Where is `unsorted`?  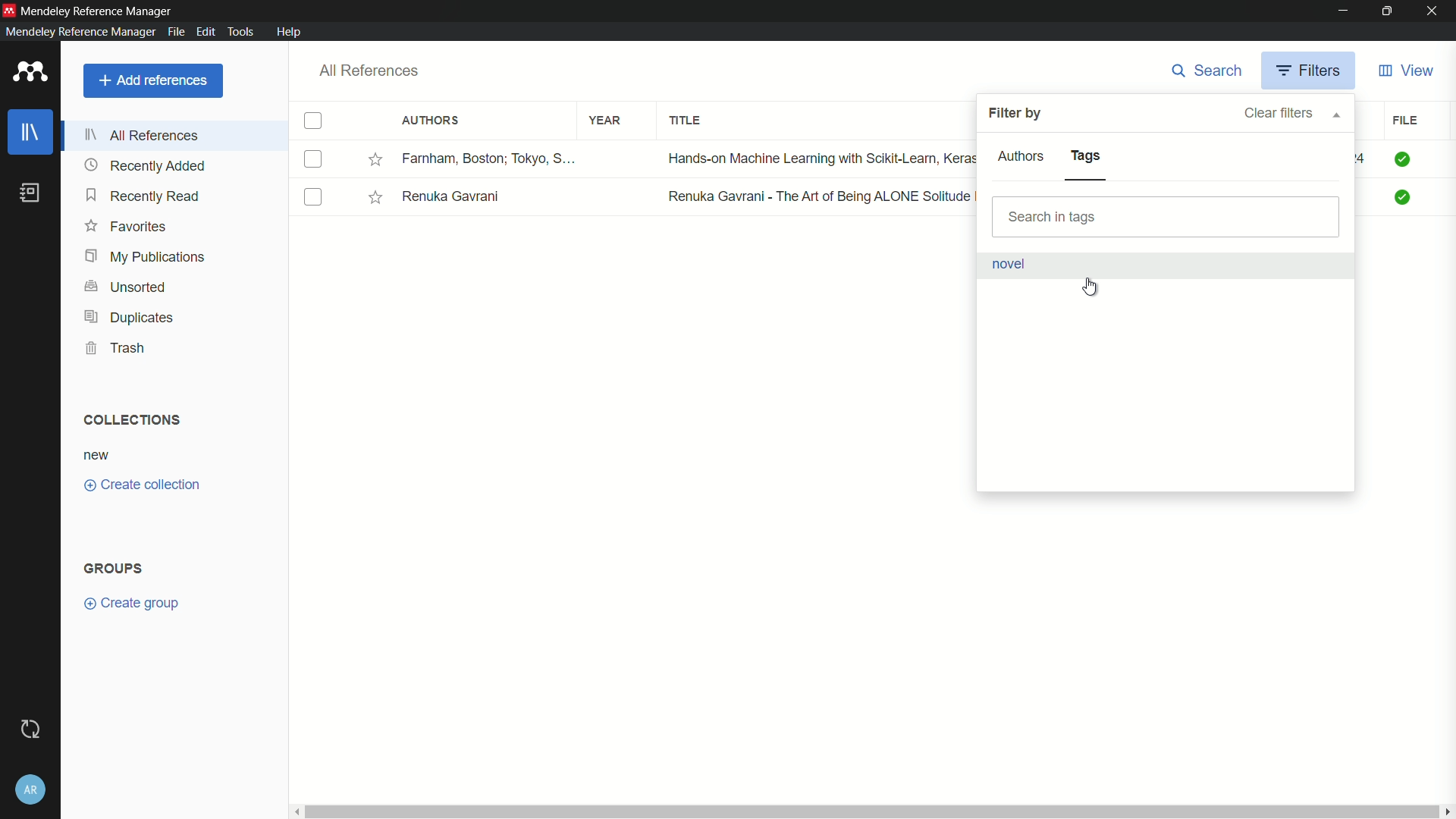
unsorted is located at coordinates (129, 286).